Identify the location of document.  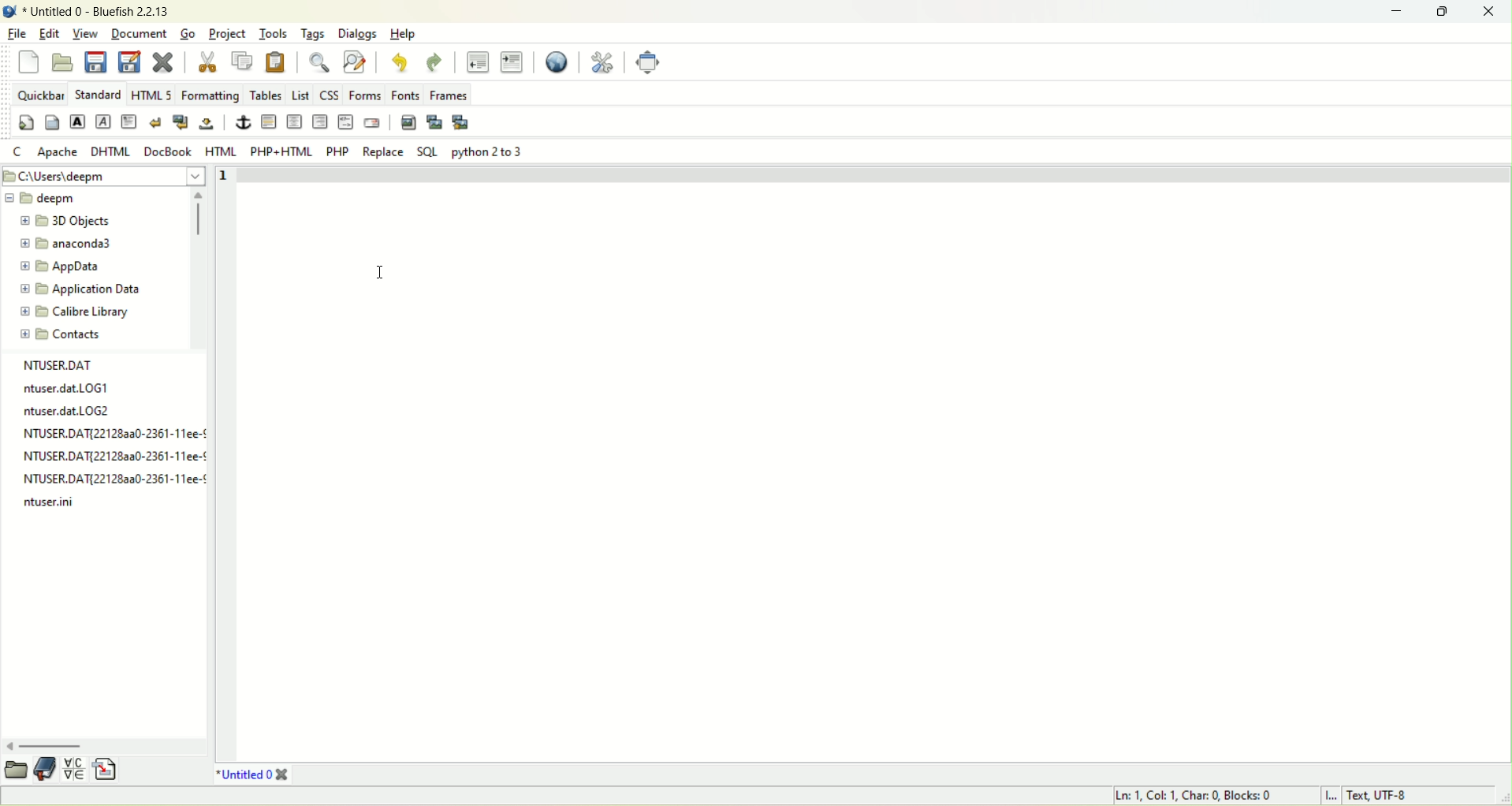
(142, 32).